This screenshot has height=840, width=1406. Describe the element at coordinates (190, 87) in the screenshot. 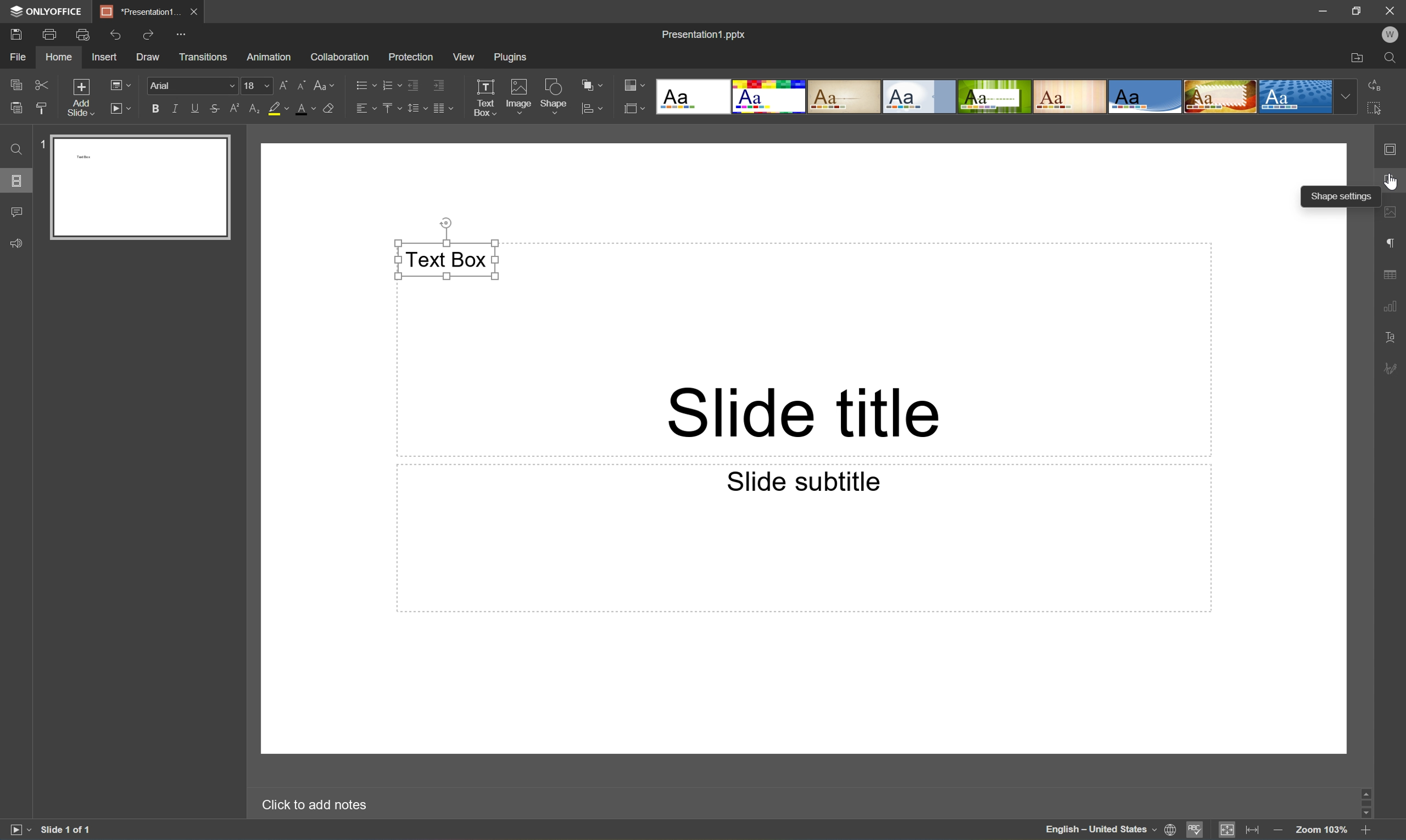

I see `Font` at that location.